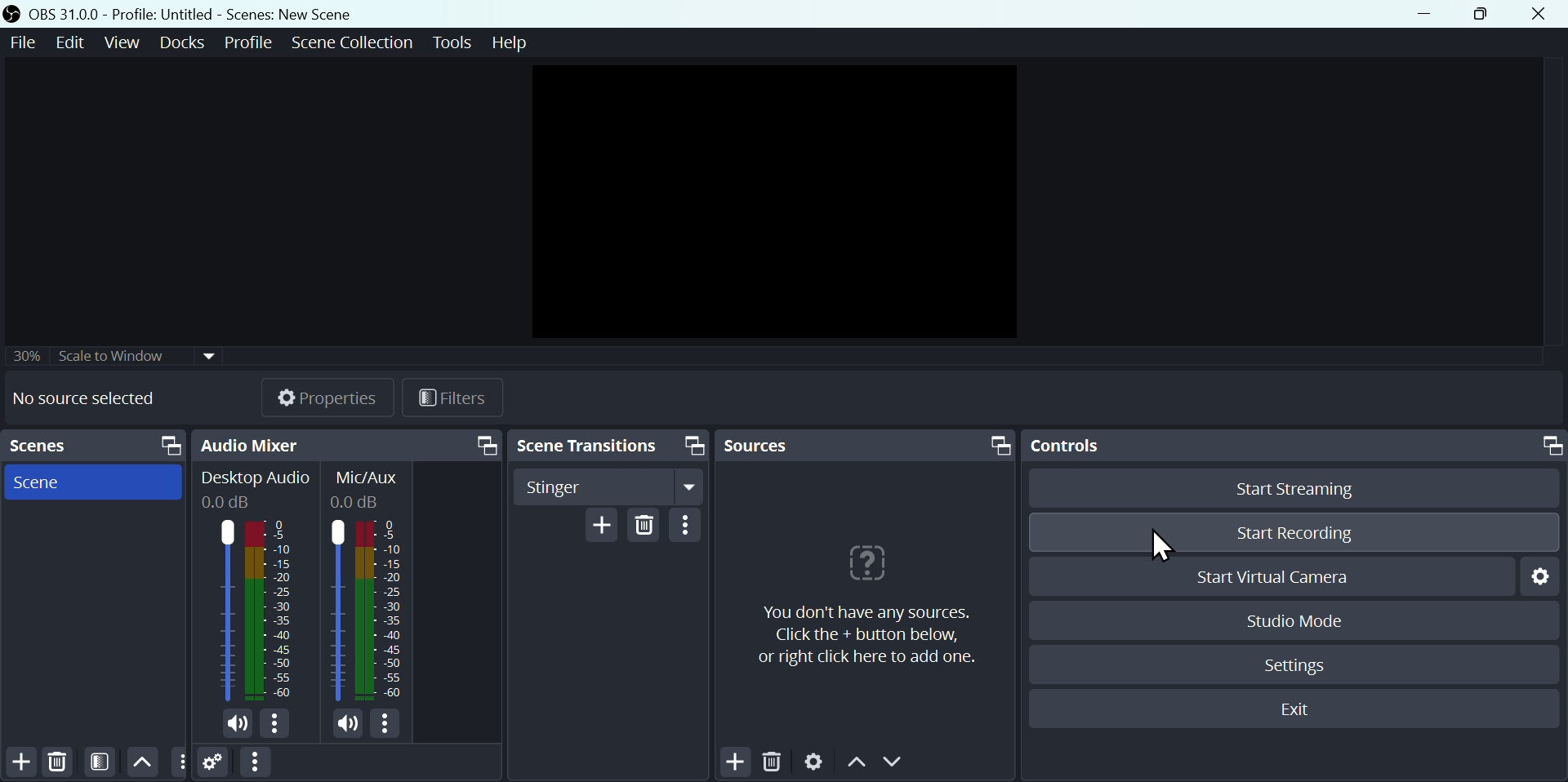  I want to click on No source selected, so click(95, 398).